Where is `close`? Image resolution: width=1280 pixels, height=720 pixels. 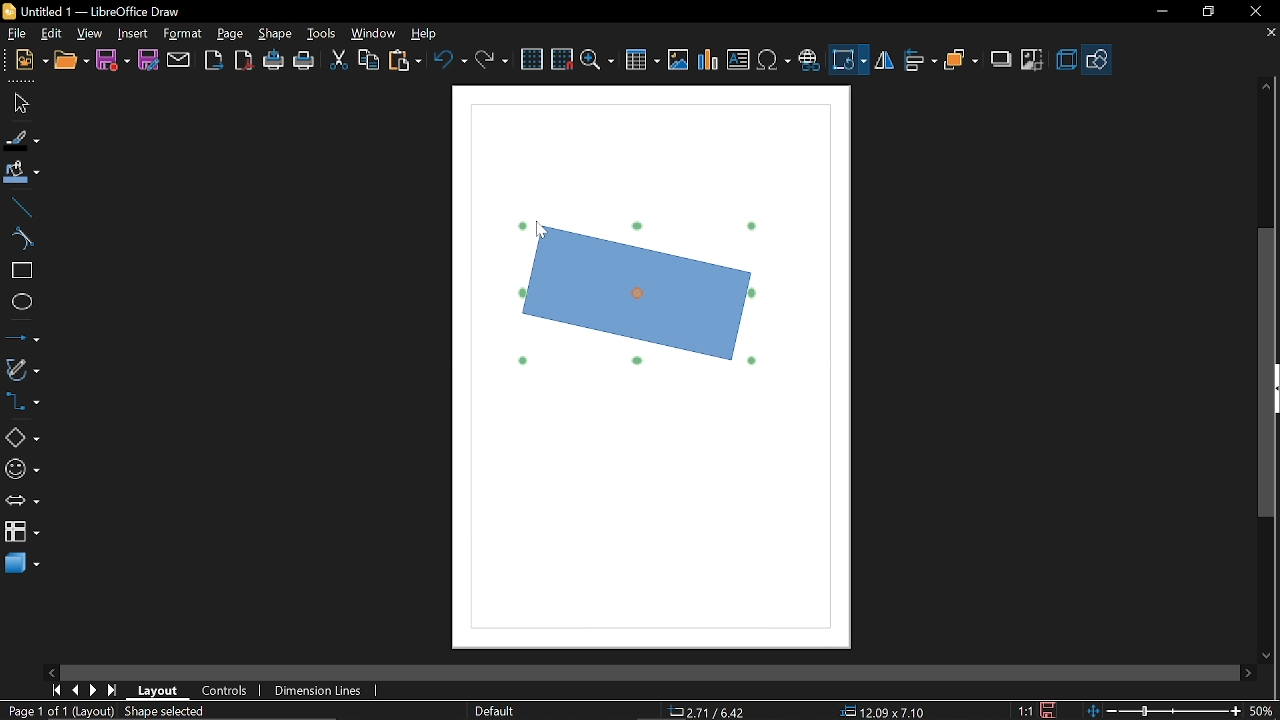 close is located at coordinates (1254, 11).